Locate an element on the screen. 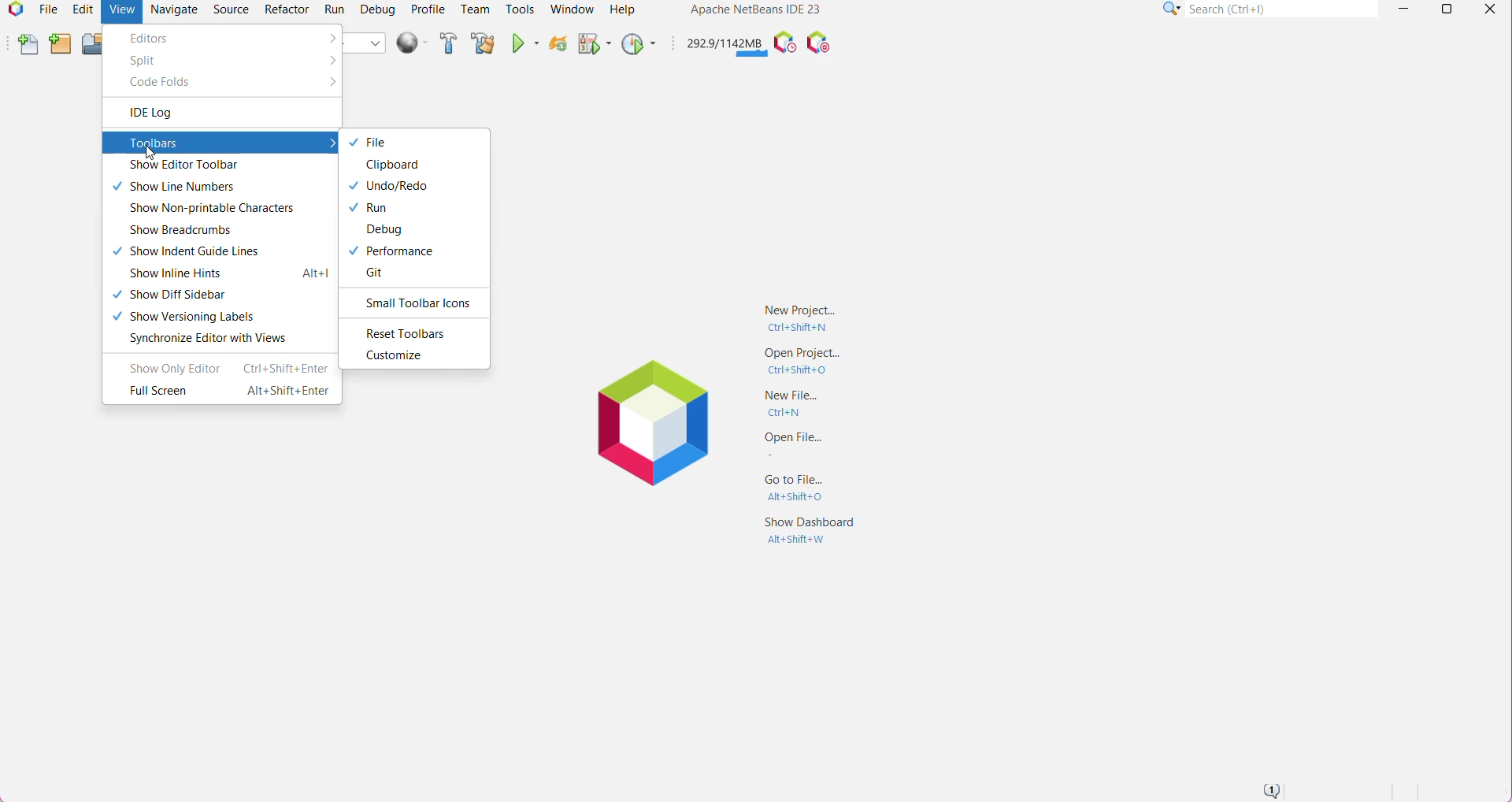 The height and width of the screenshot is (802, 1512). Show Diff Sidebar is located at coordinates (171, 294).